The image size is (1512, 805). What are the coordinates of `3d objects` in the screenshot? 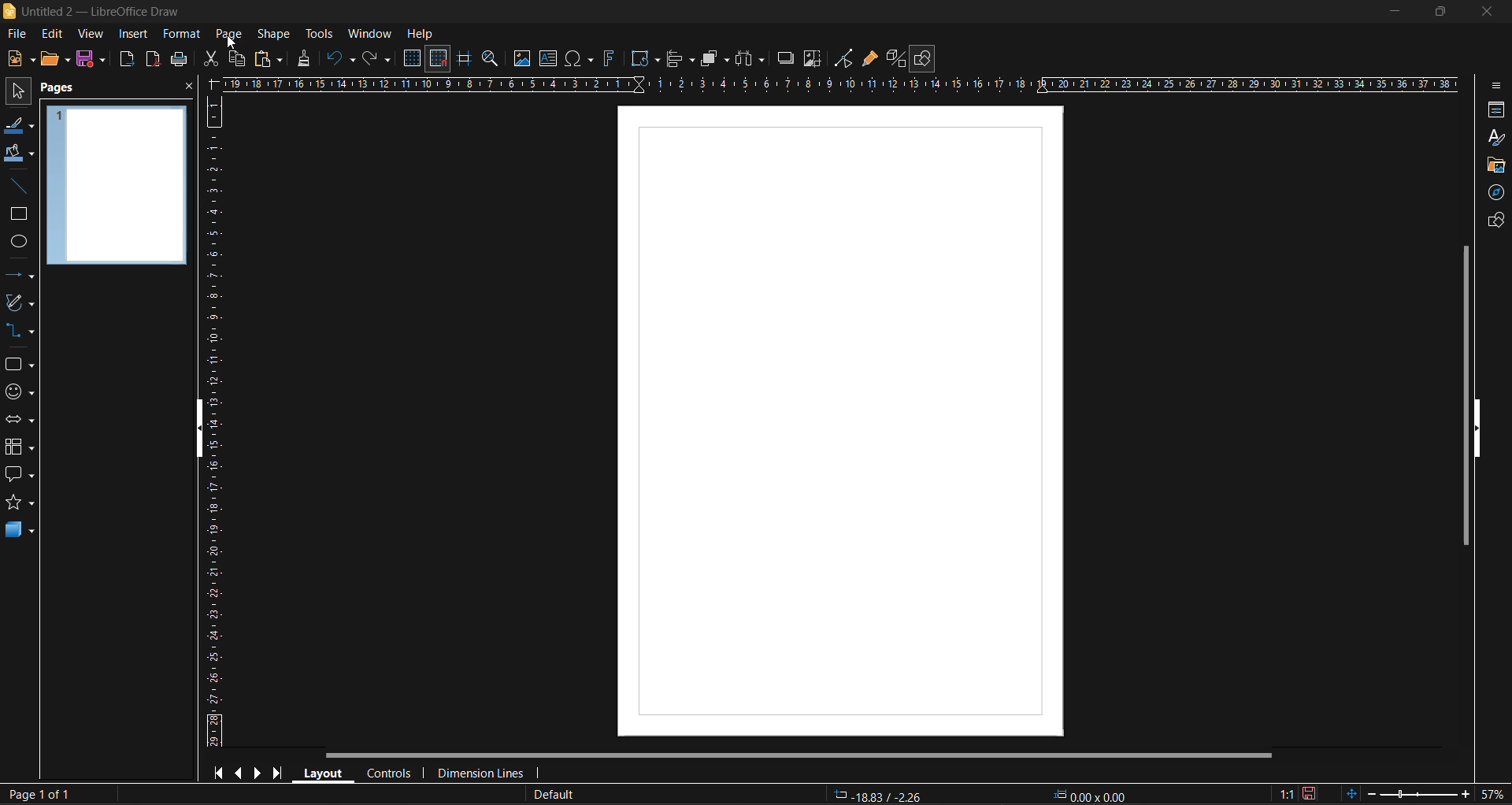 It's located at (17, 532).